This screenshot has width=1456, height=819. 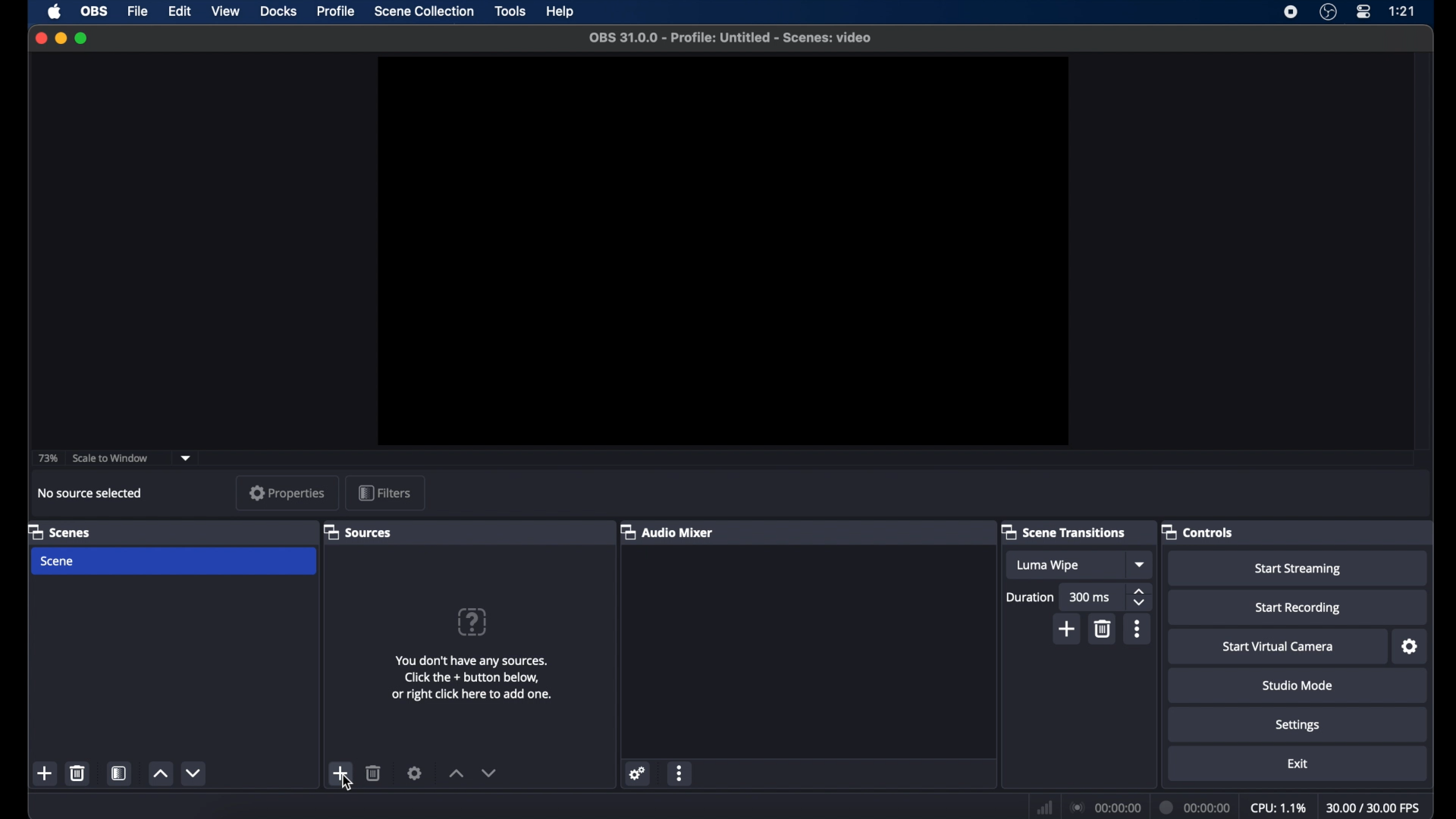 What do you see at coordinates (1090, 597) in the screenshot?
I see `300 ms` at bounding box center [1090, 597].